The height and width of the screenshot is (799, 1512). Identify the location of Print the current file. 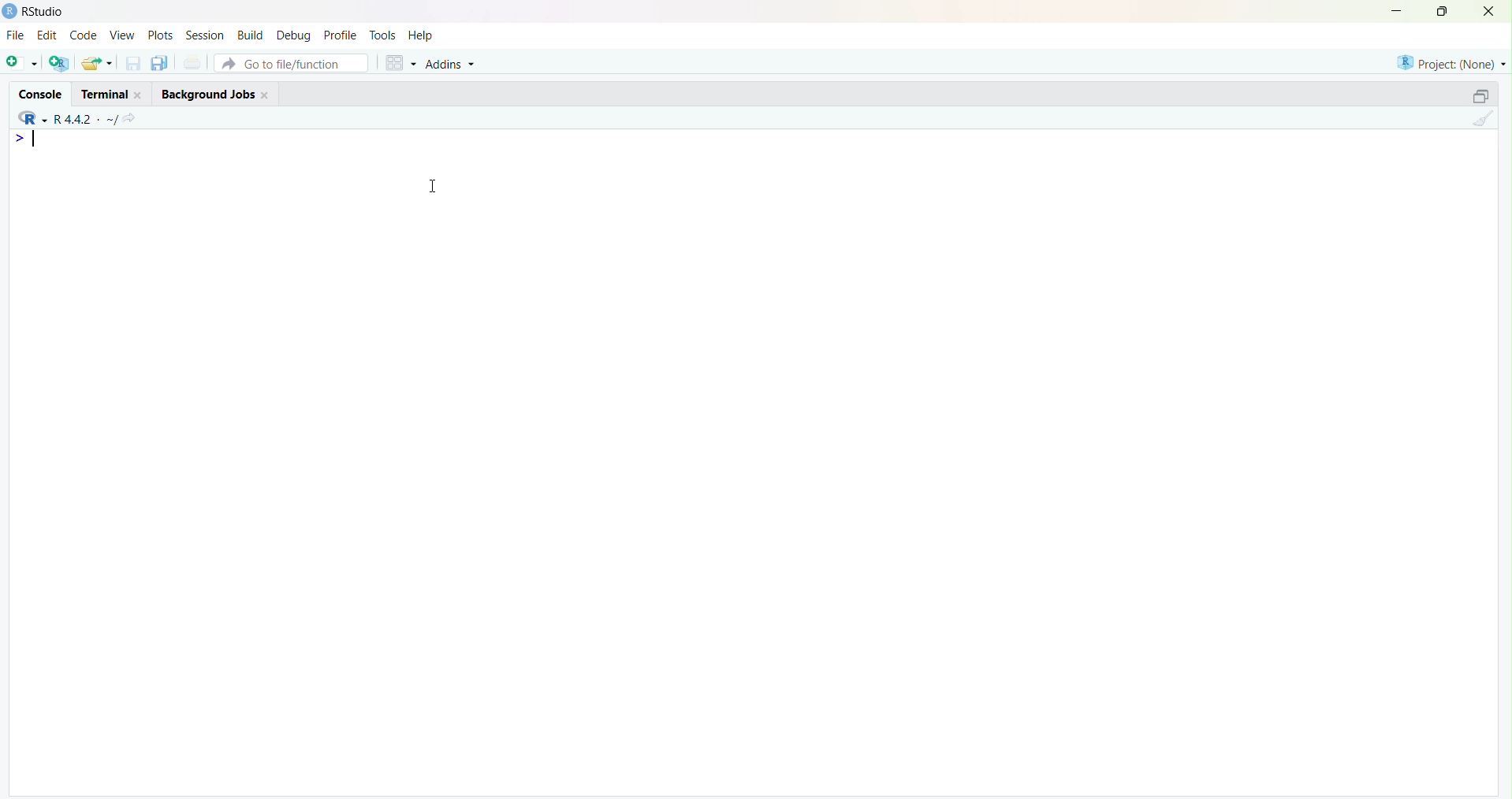
(192, 64).